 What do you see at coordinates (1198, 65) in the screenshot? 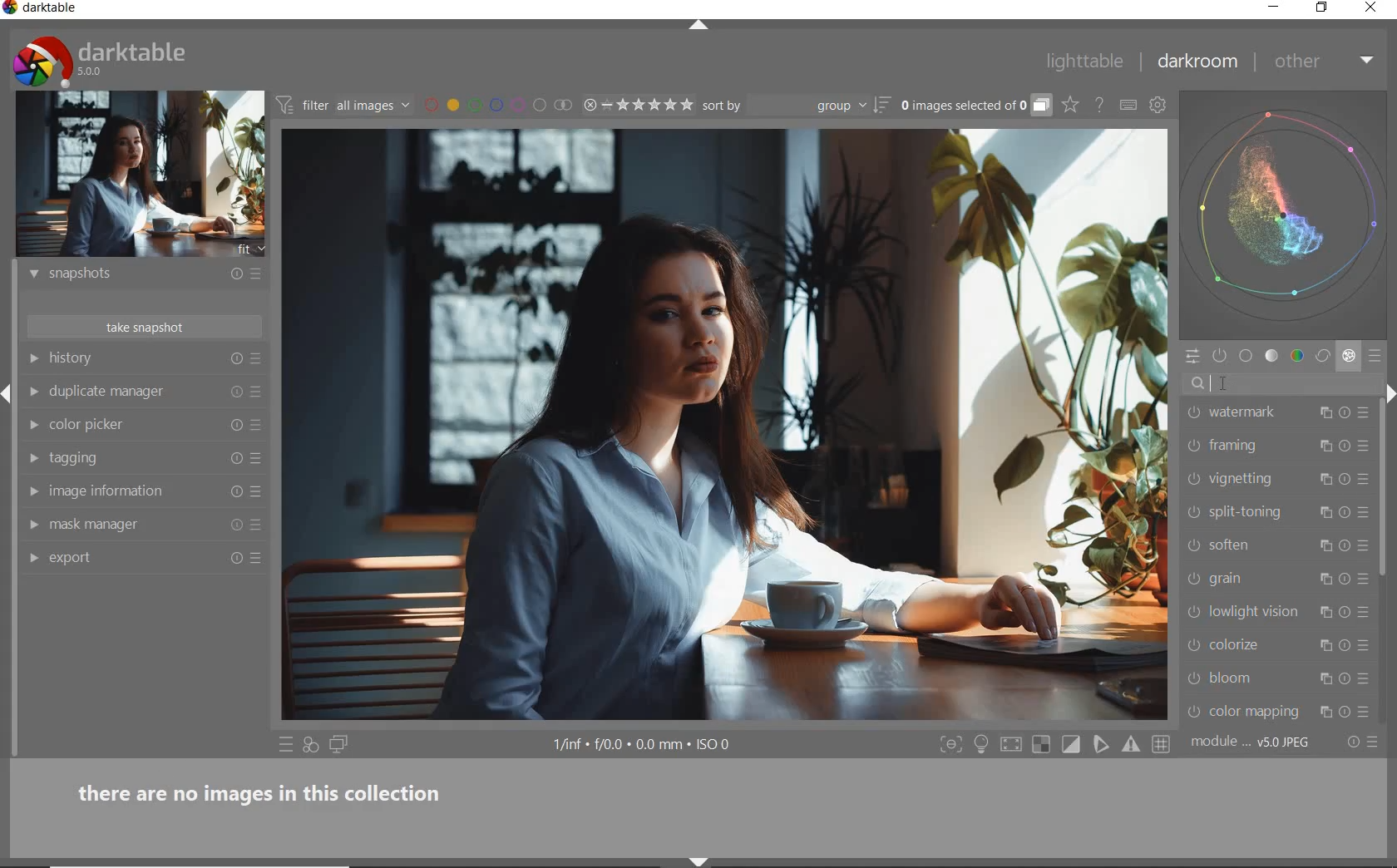
I see `darkroom` at bounding box center [1198, 65].